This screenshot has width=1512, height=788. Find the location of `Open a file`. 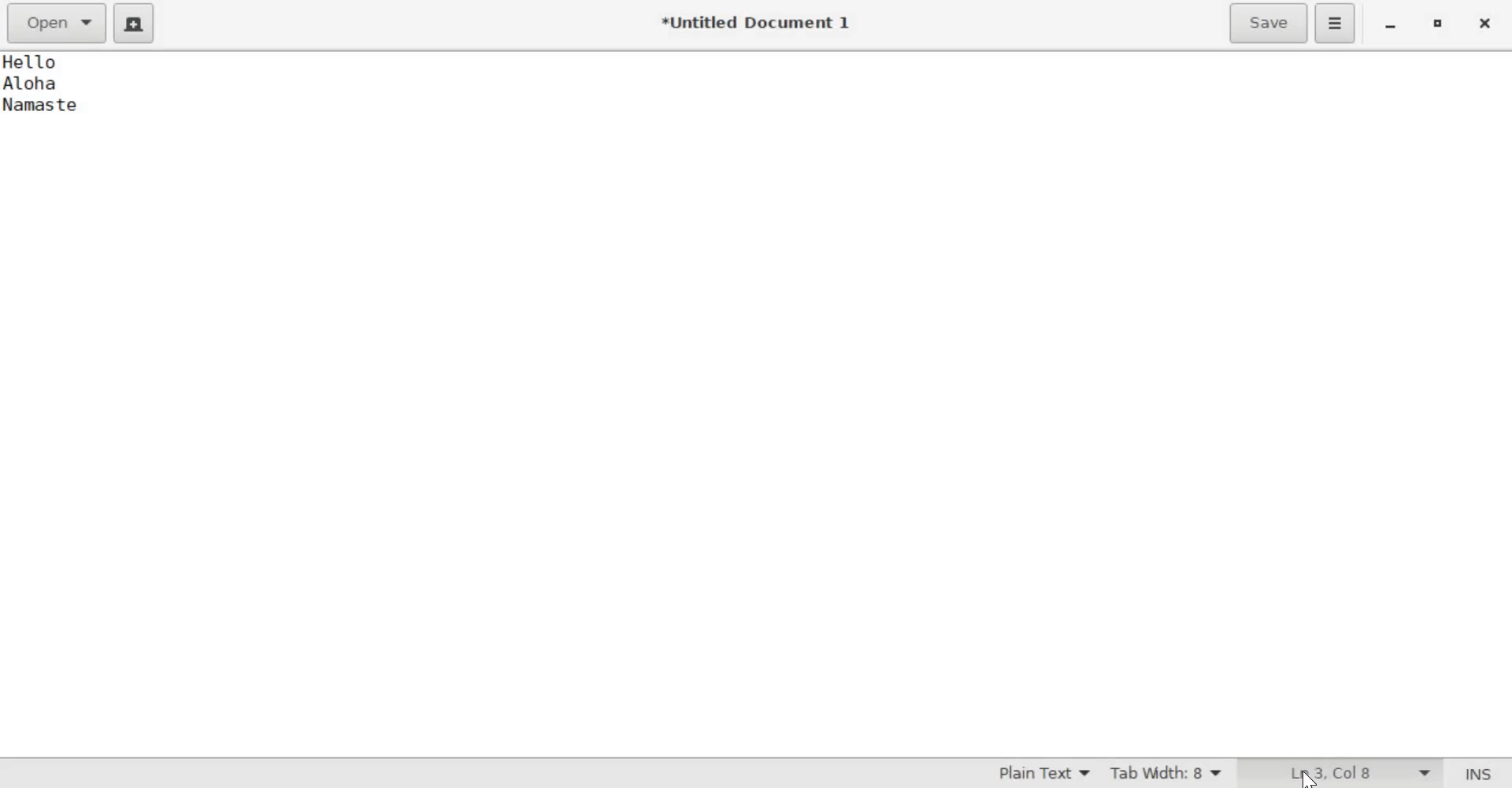

Open a file is located at coordinates (58, 22).